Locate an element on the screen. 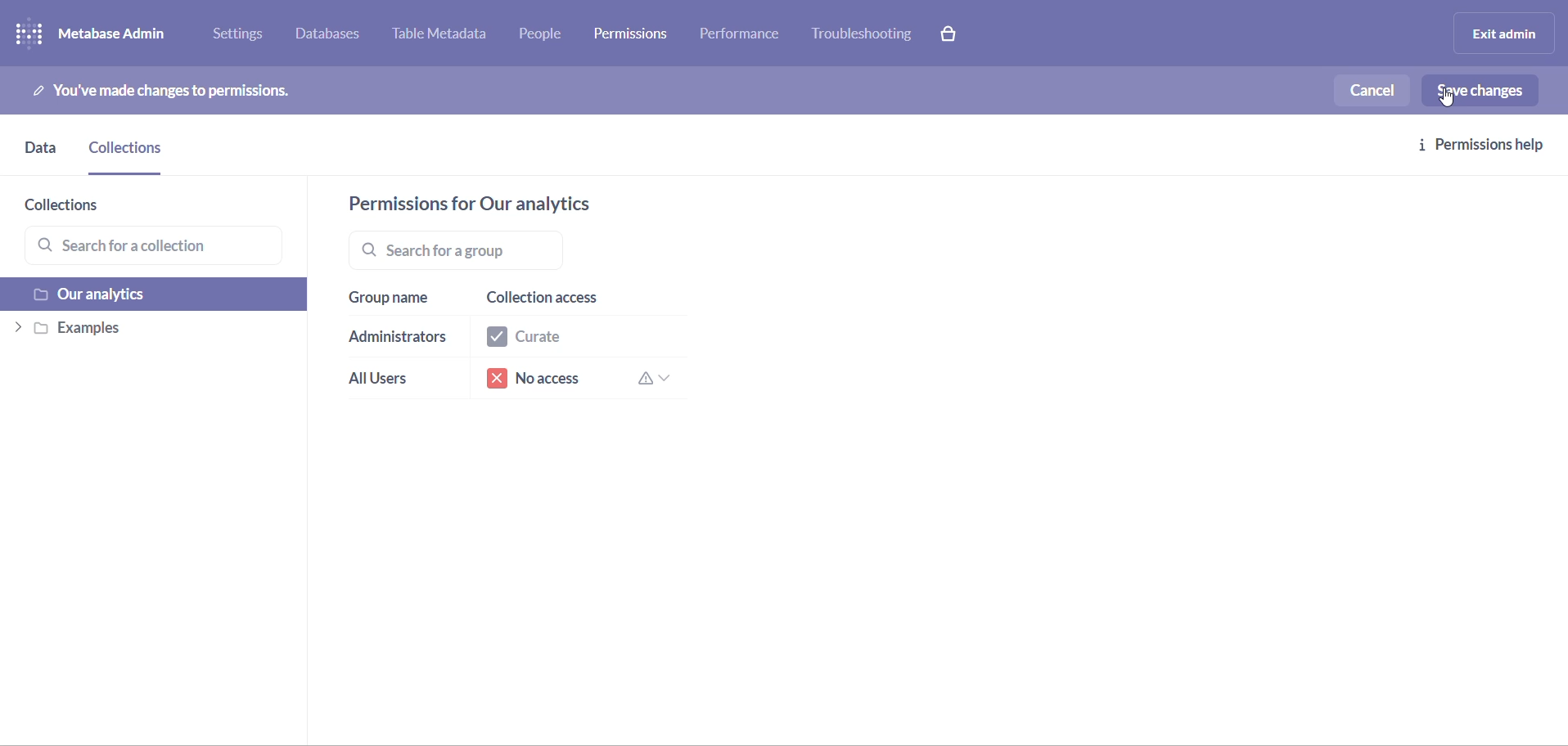  databases is located at coordinates (336, 36).